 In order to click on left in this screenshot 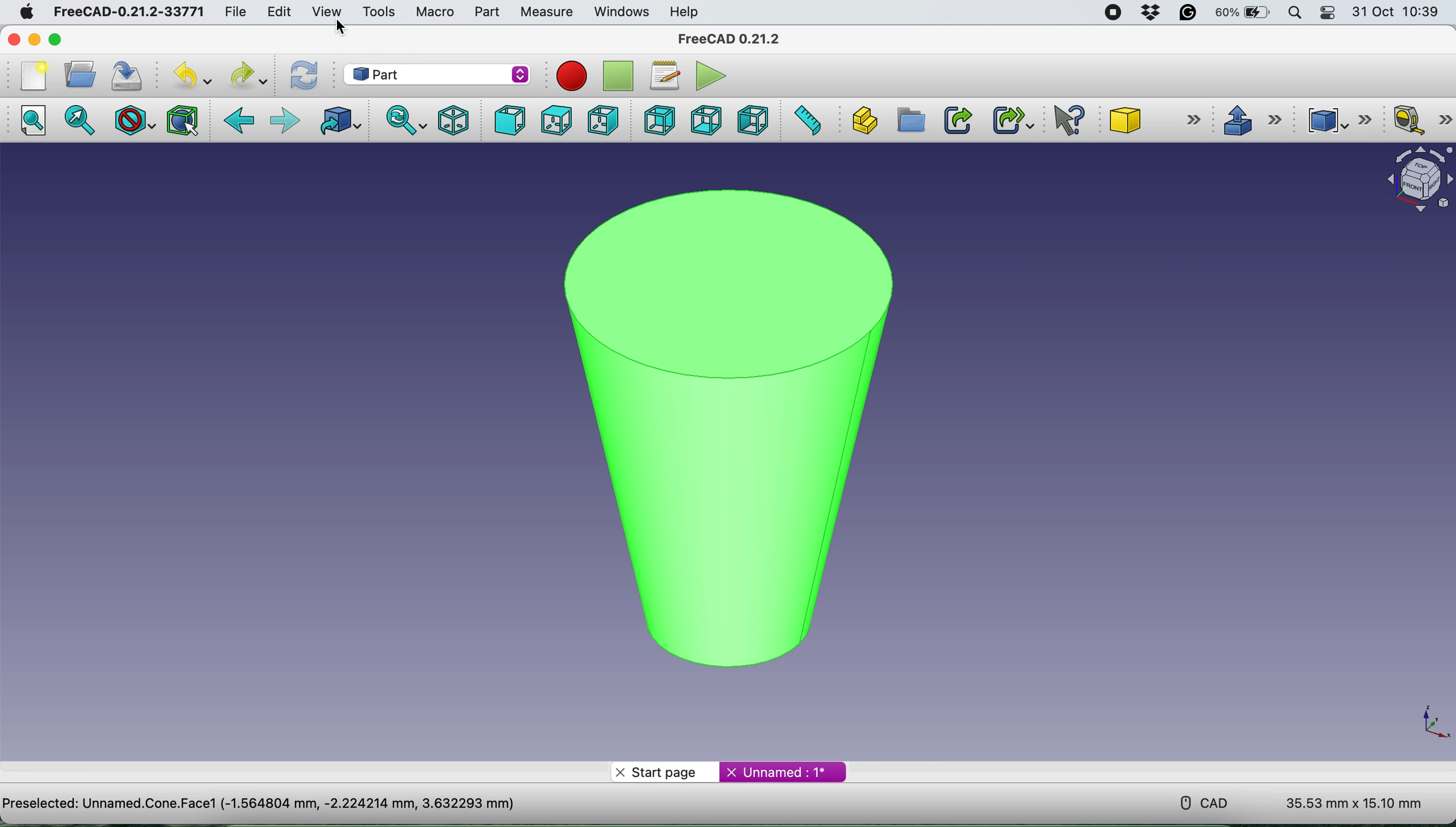, I will do `click(755, 120)`.